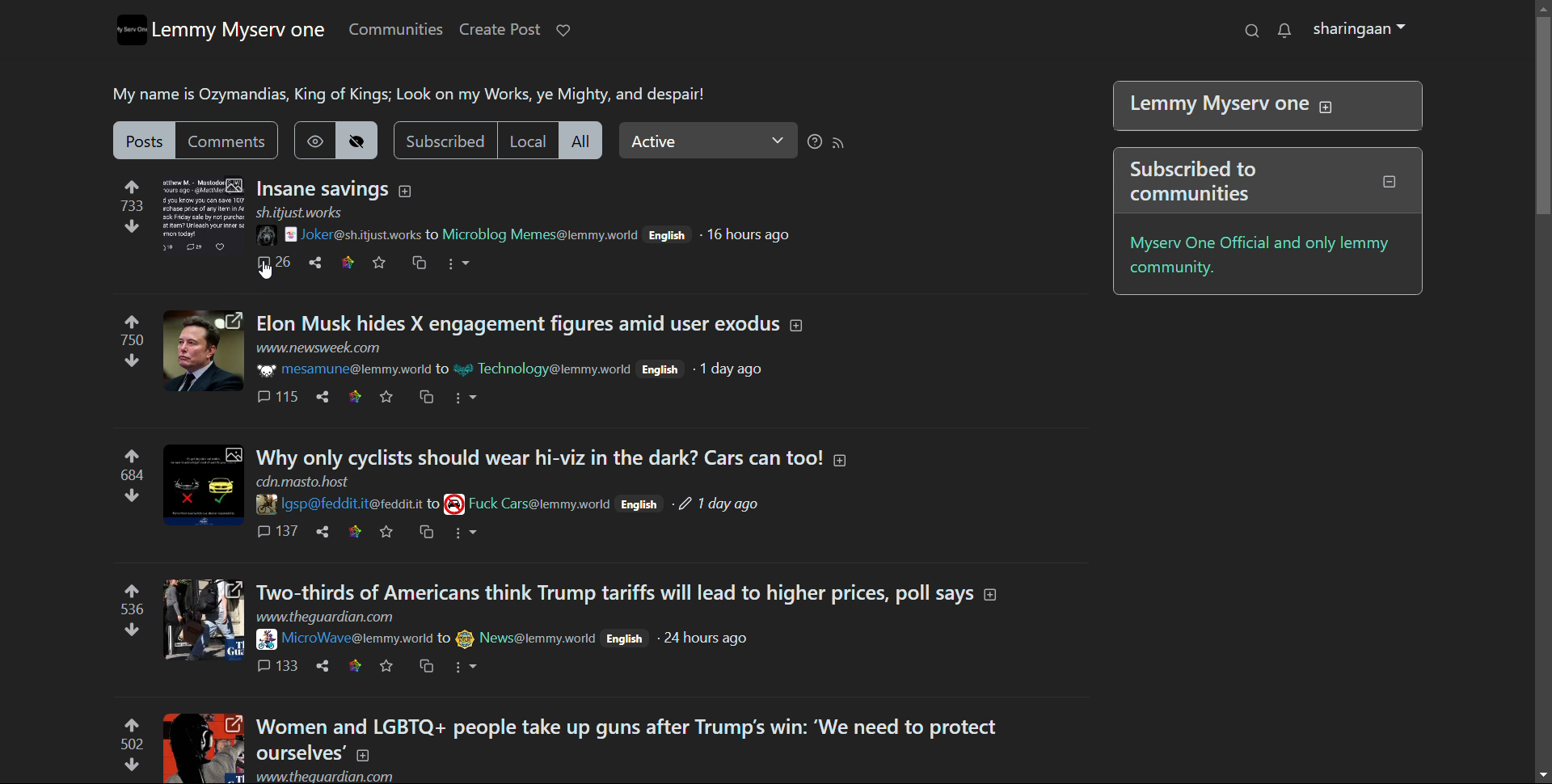 The width and height of the screenshot is (1552, 784). I want to click on url, so click(302, 482).